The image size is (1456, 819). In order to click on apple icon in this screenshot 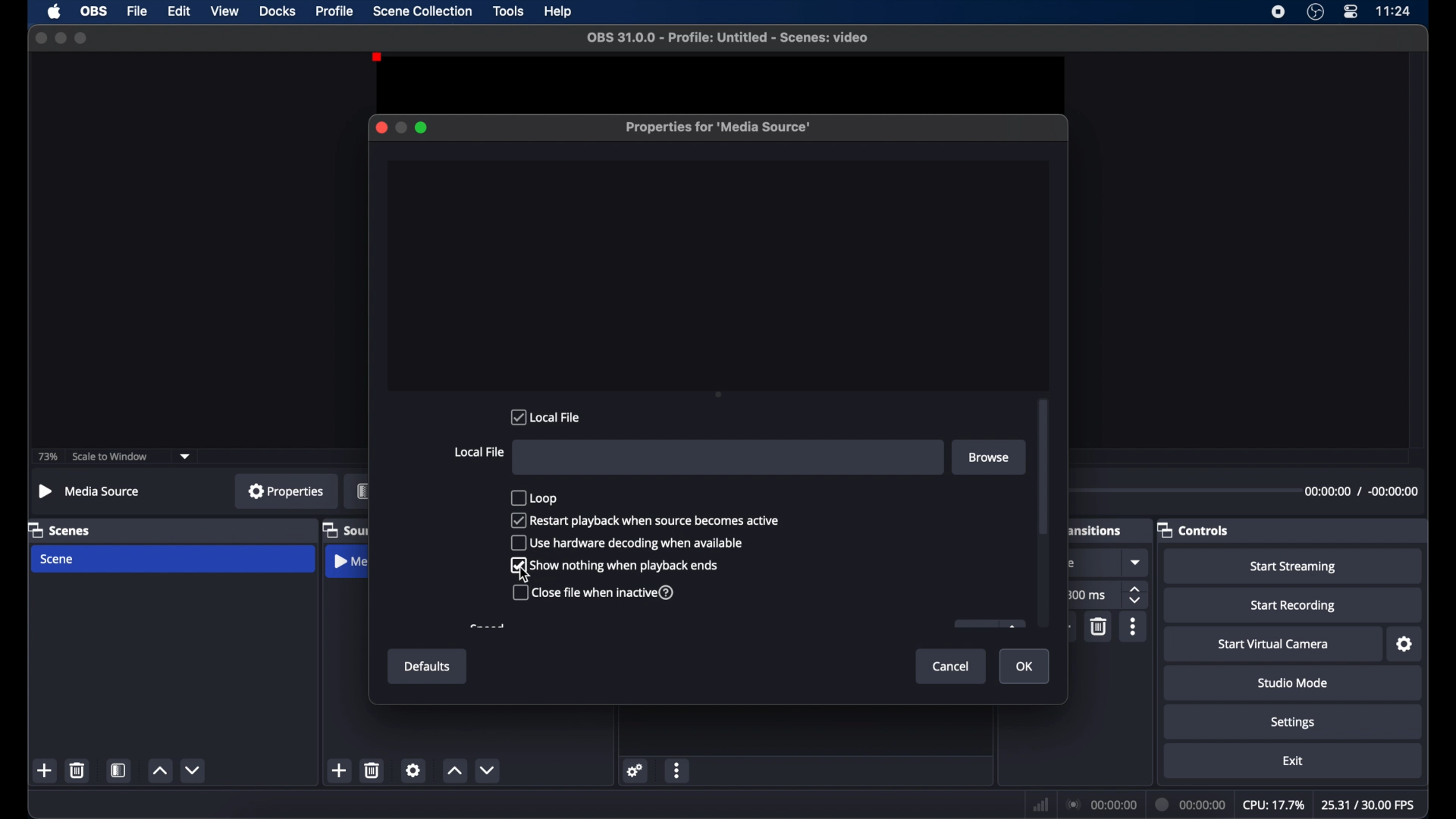, I will do `click(54, 12)`.